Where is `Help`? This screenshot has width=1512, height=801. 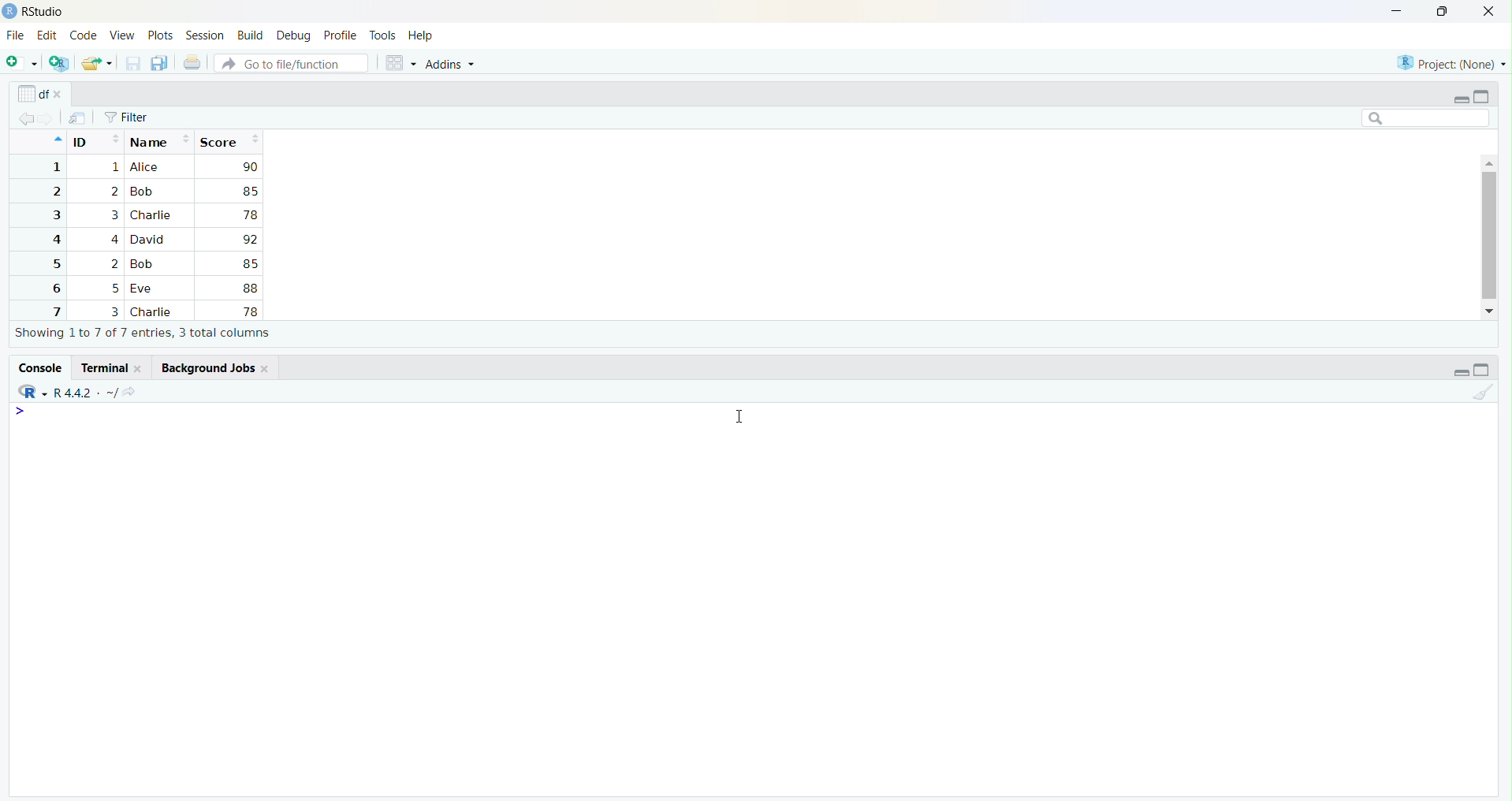 Help is located at coordinates (421, 37).